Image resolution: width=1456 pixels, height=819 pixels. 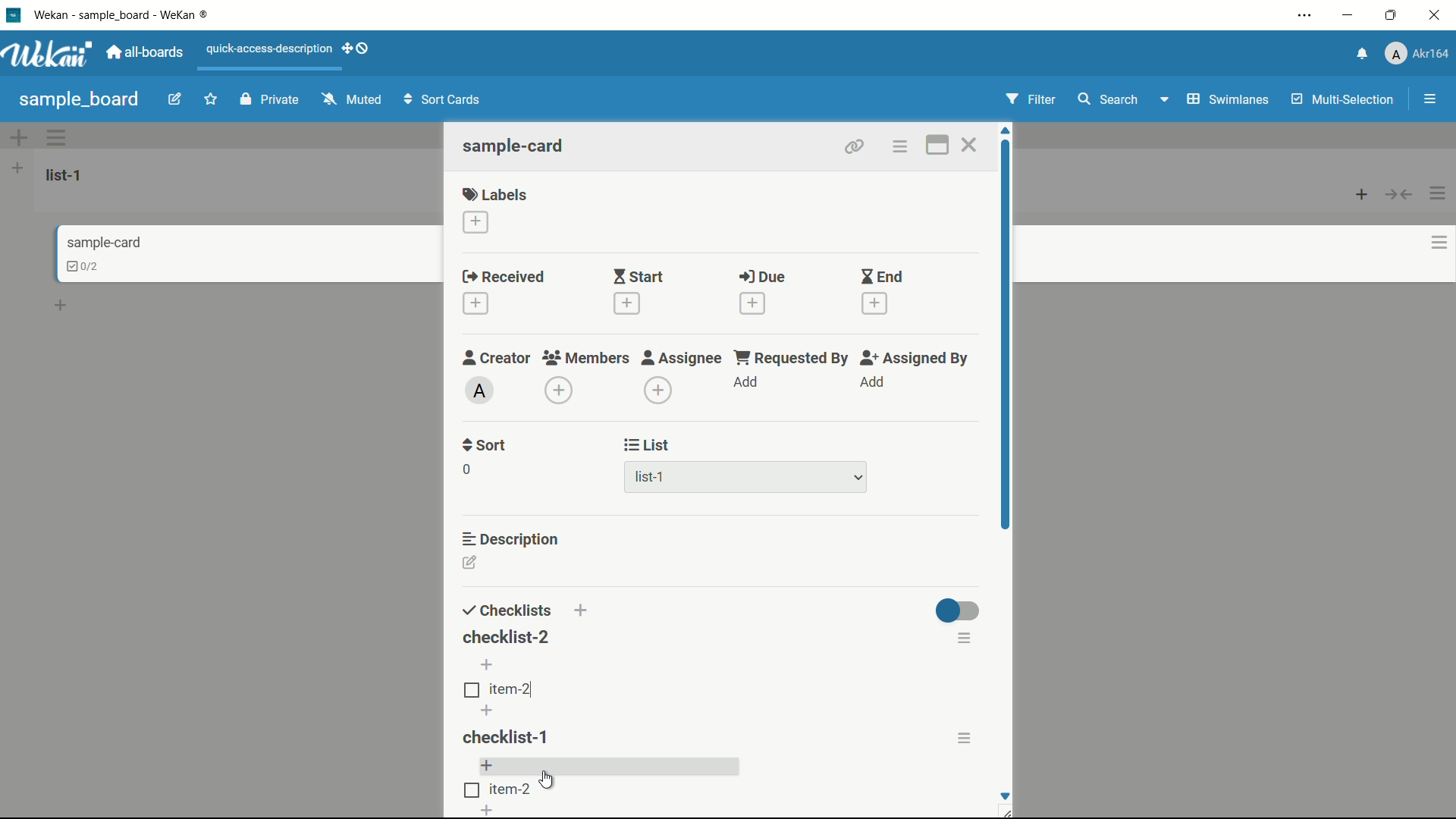 I want to click on filter, so click(x=1031, y=100).